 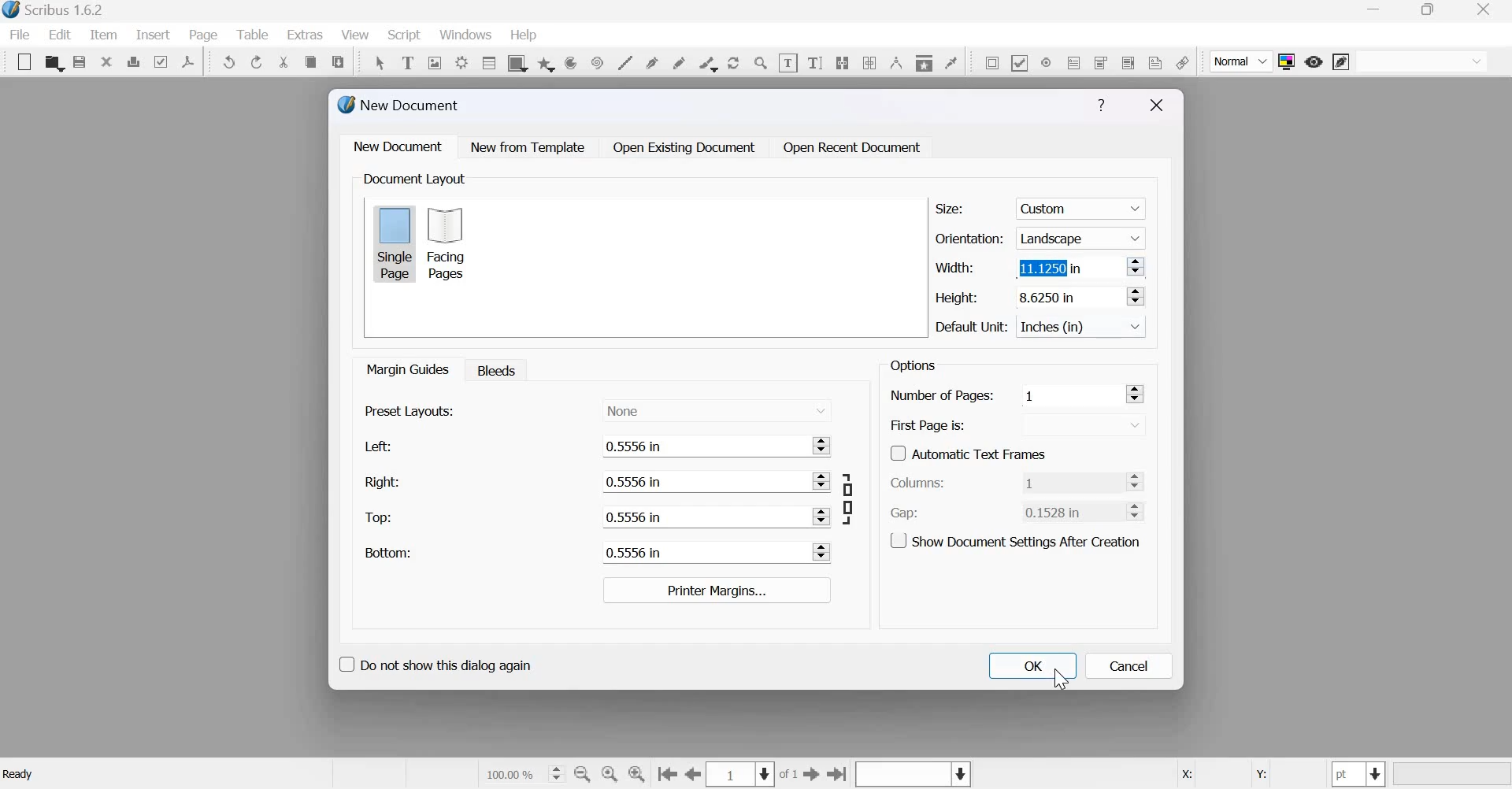 I want to click on table, so click(x=487, y=62).